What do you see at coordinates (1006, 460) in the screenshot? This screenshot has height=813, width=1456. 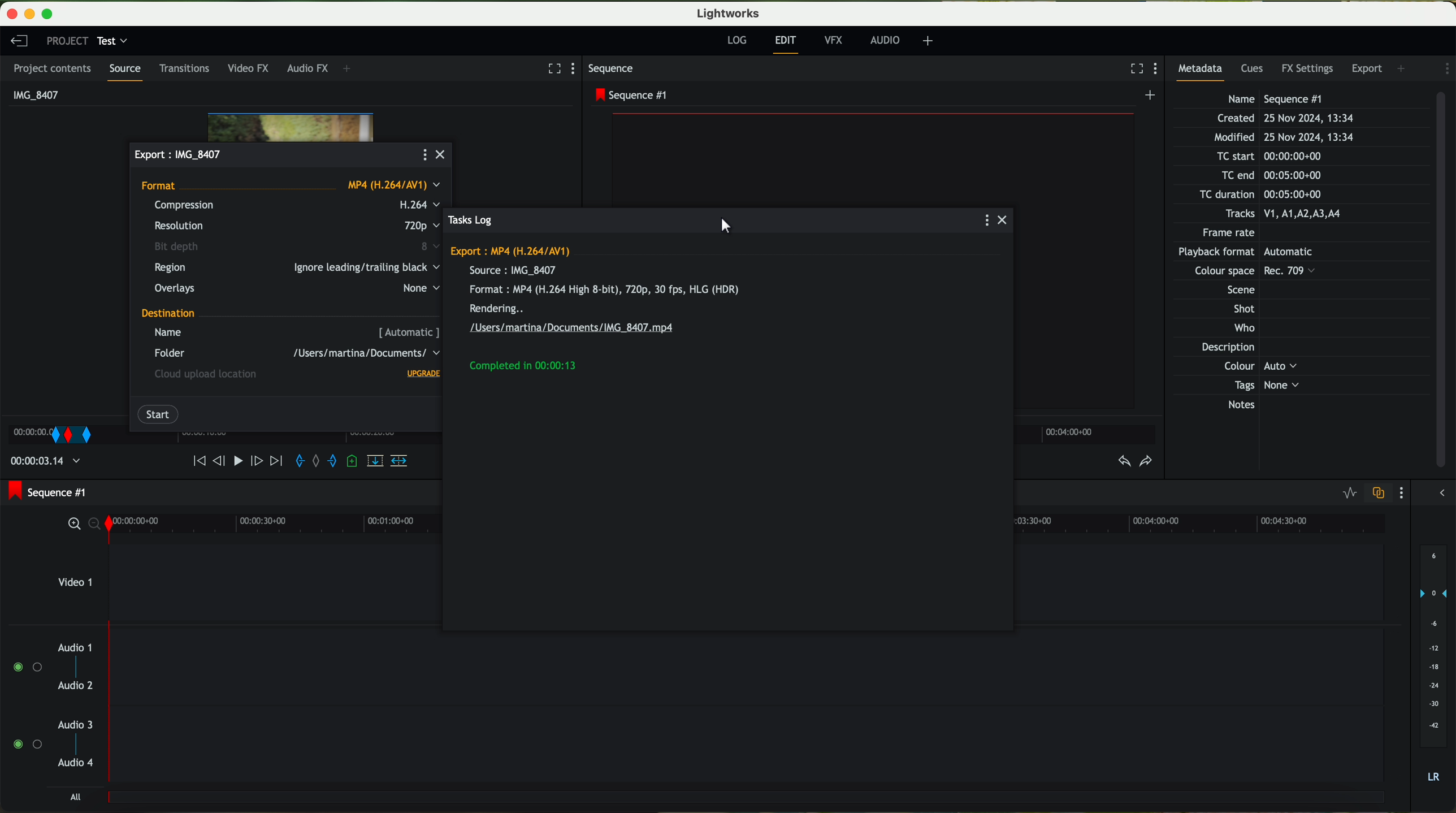 I see `record a voice over` at bounding box center [1006, 460].